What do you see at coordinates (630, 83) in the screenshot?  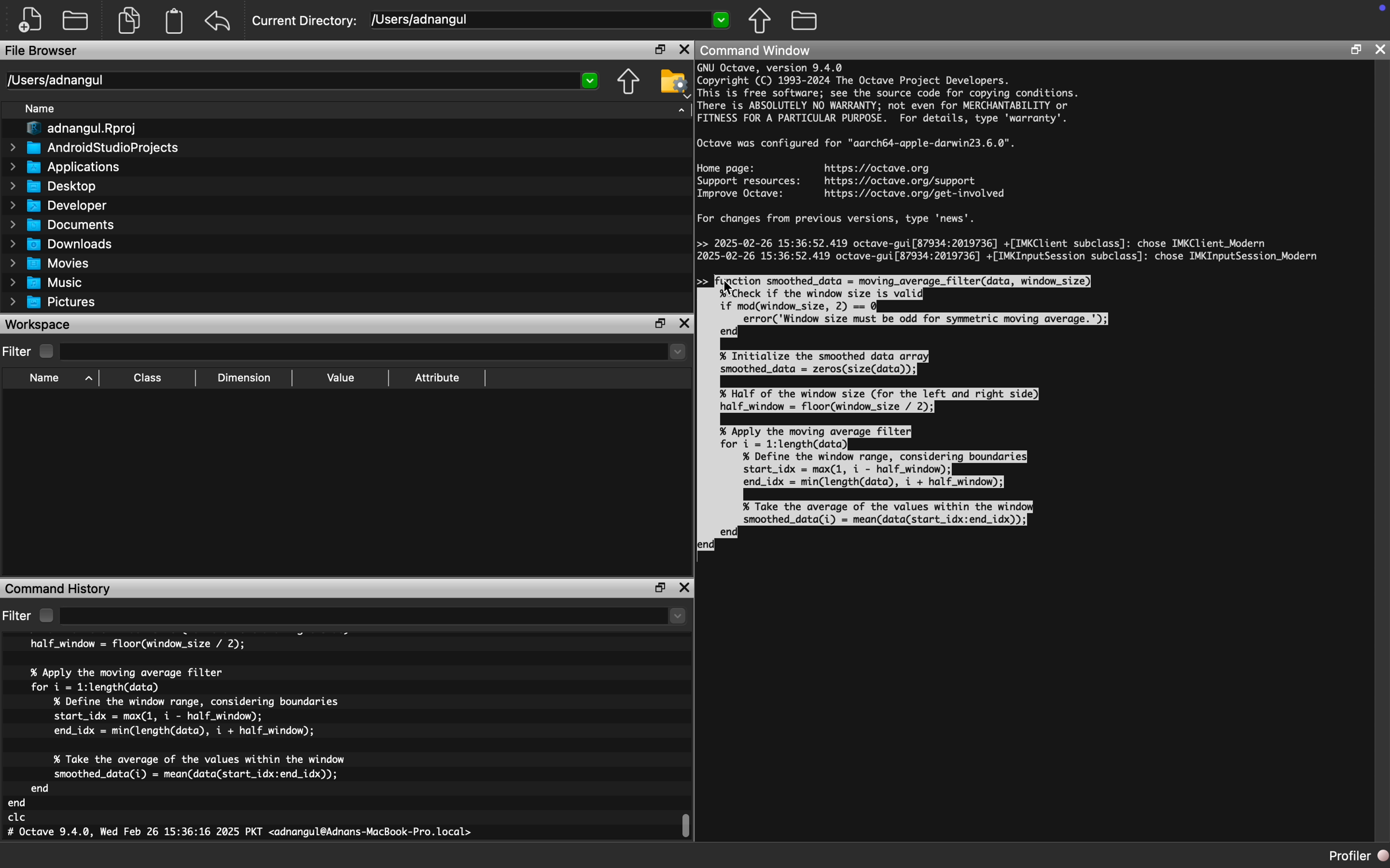 I see `Parent Directory` at bounding box center [630, 83].